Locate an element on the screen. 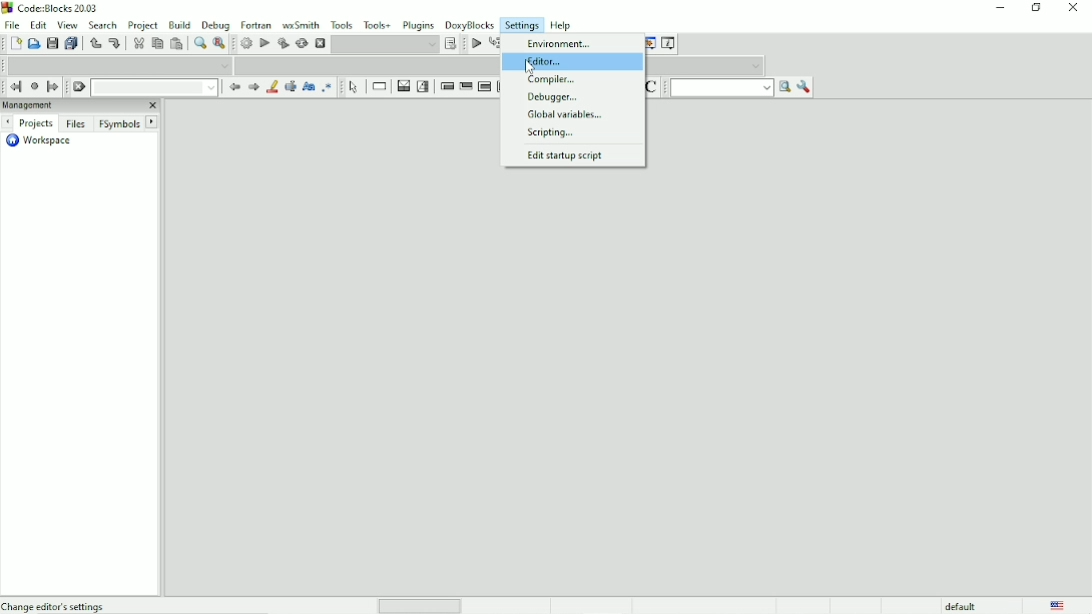  Editor is located at coordinates (573, 62).